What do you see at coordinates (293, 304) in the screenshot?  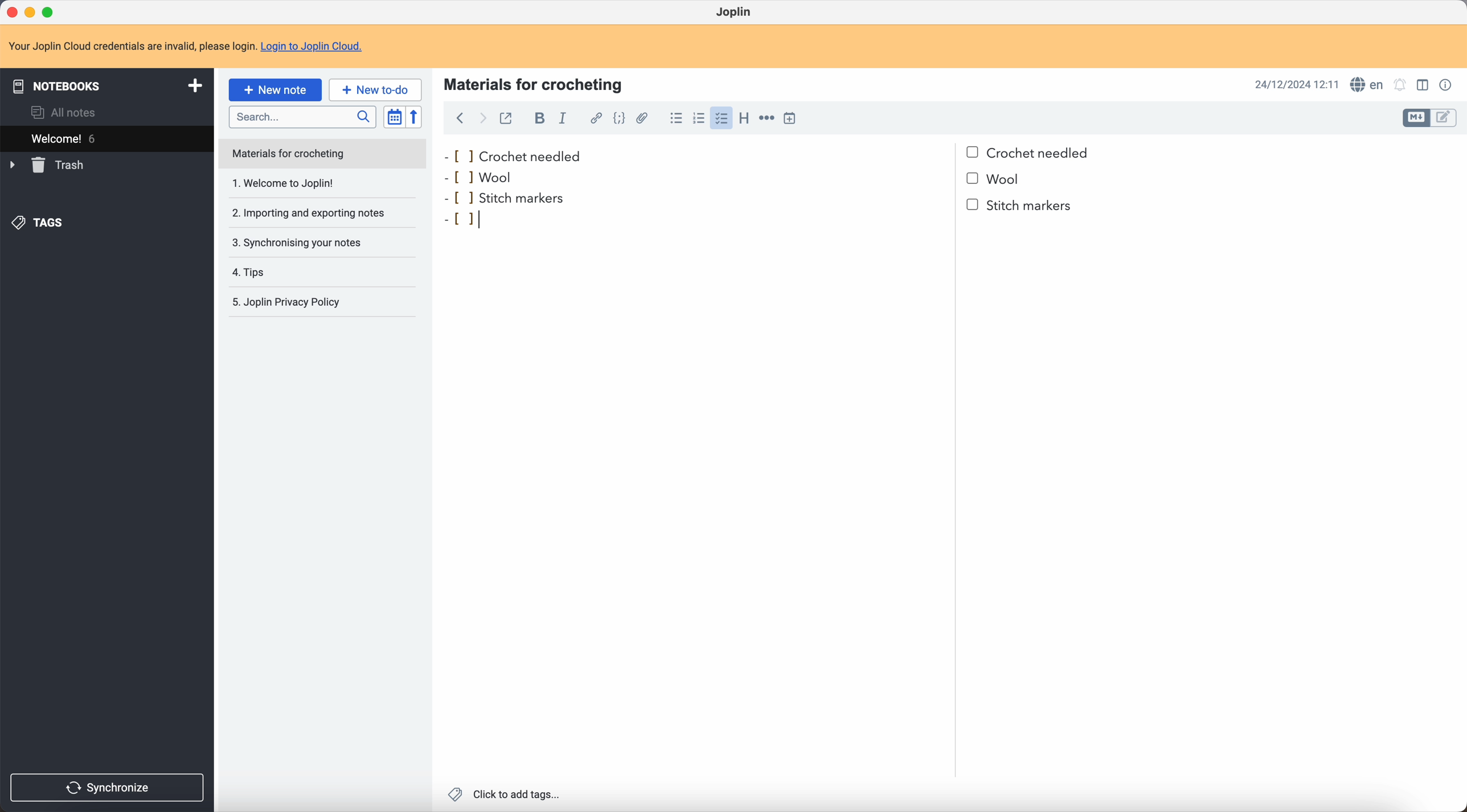 I see `Joplin privacy policy` at bounding box center [293, 304].